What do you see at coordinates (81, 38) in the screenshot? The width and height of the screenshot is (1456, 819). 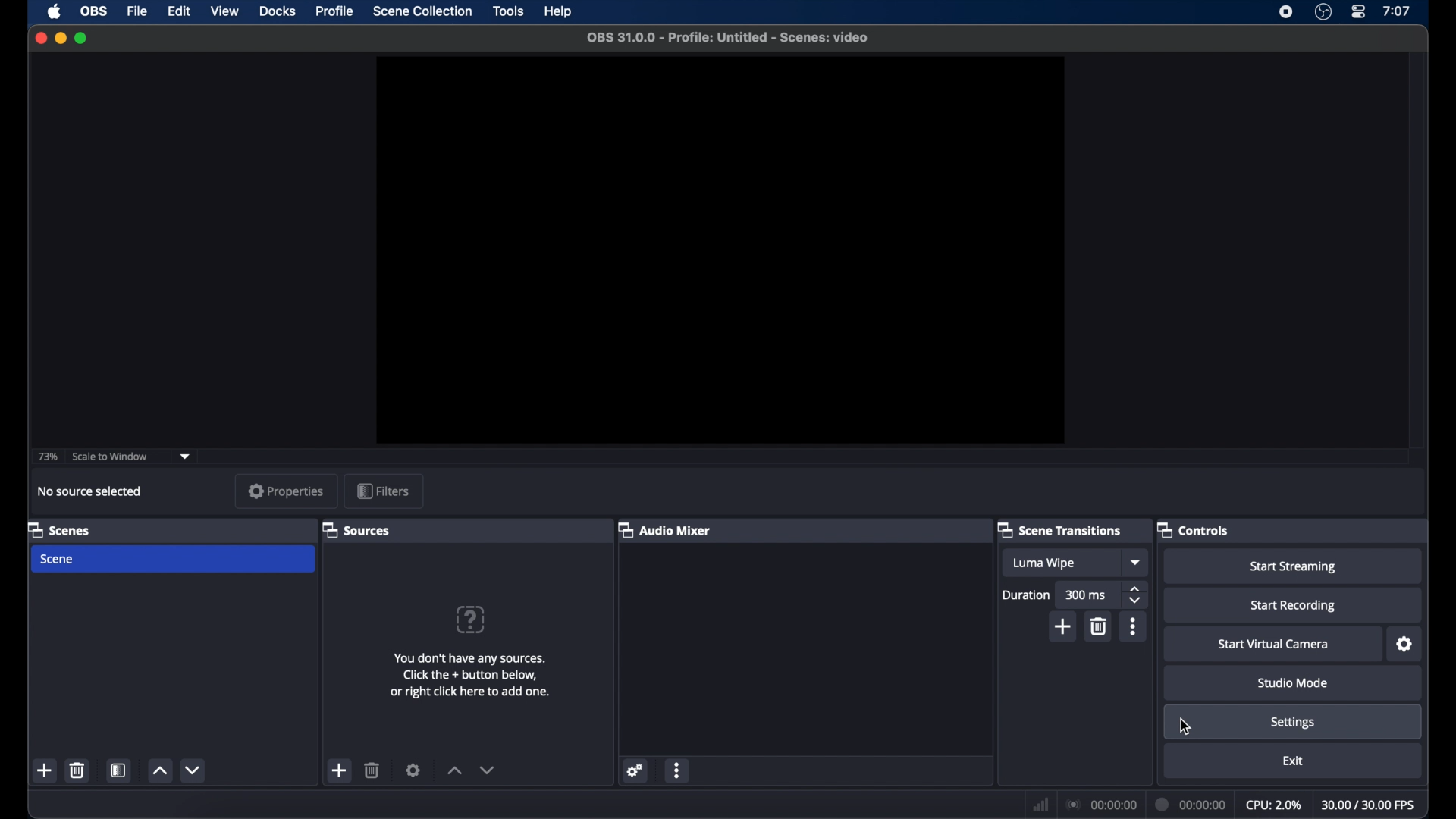 I see `maximize` at bounding box center [81, 38].